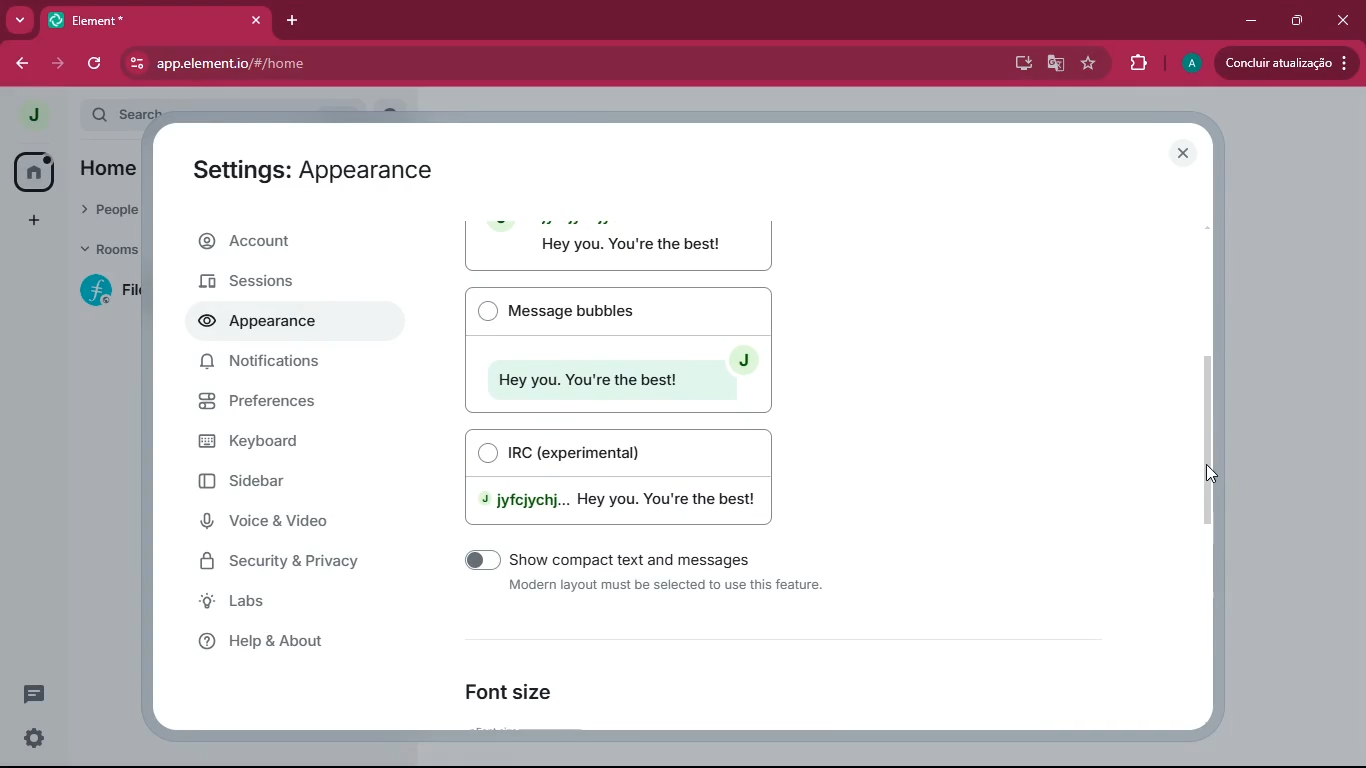 The height and width of the screenshot is (768, 1366). What do you see at coordinates (38, 218) in the screenshot?
I see `add` at bounding box center [38, 218].